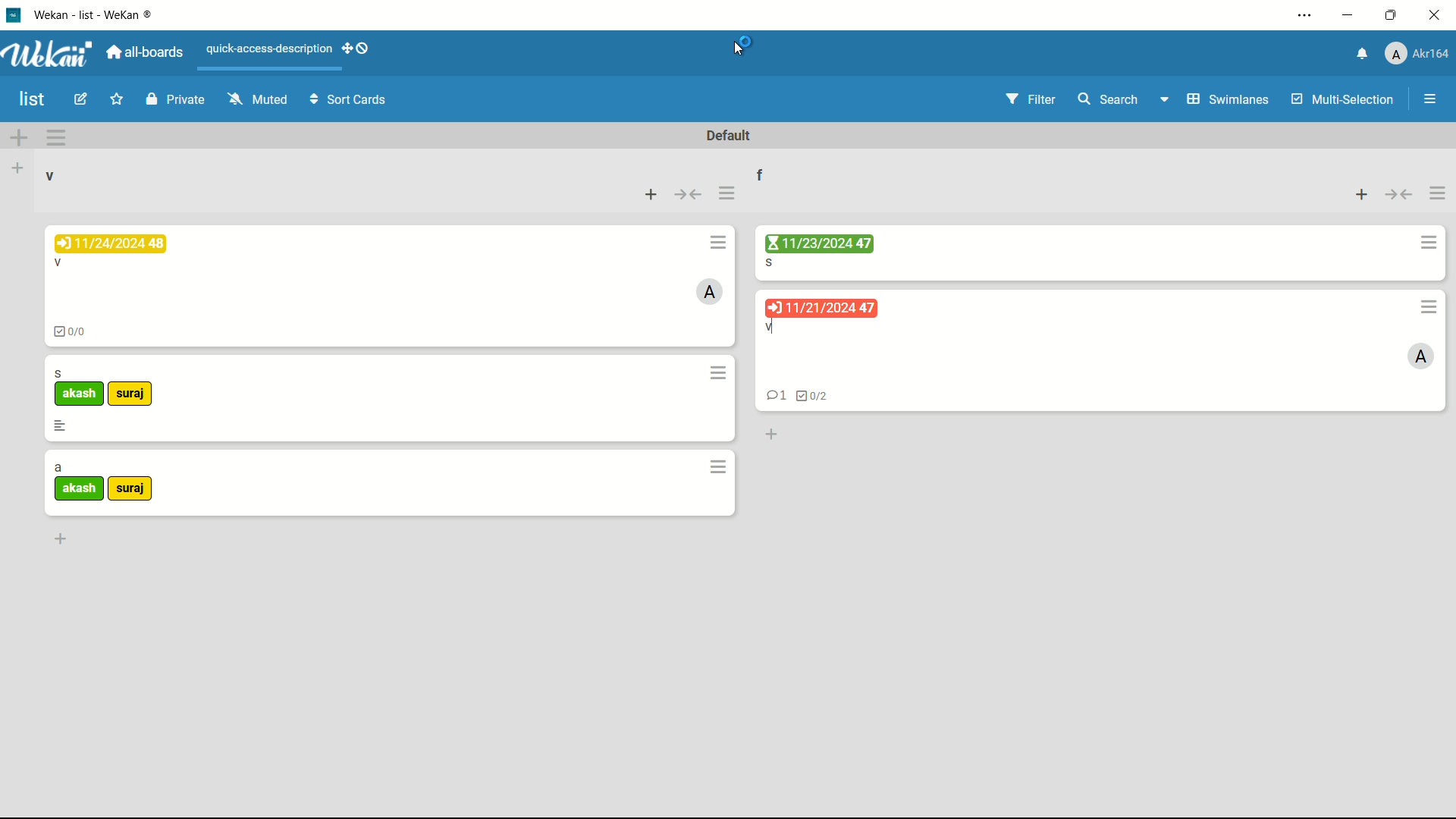 This screenshot has width=1456, height=819. Describe the element at coordinates (58, 373) in the screenshot. I see `card name` at that location.